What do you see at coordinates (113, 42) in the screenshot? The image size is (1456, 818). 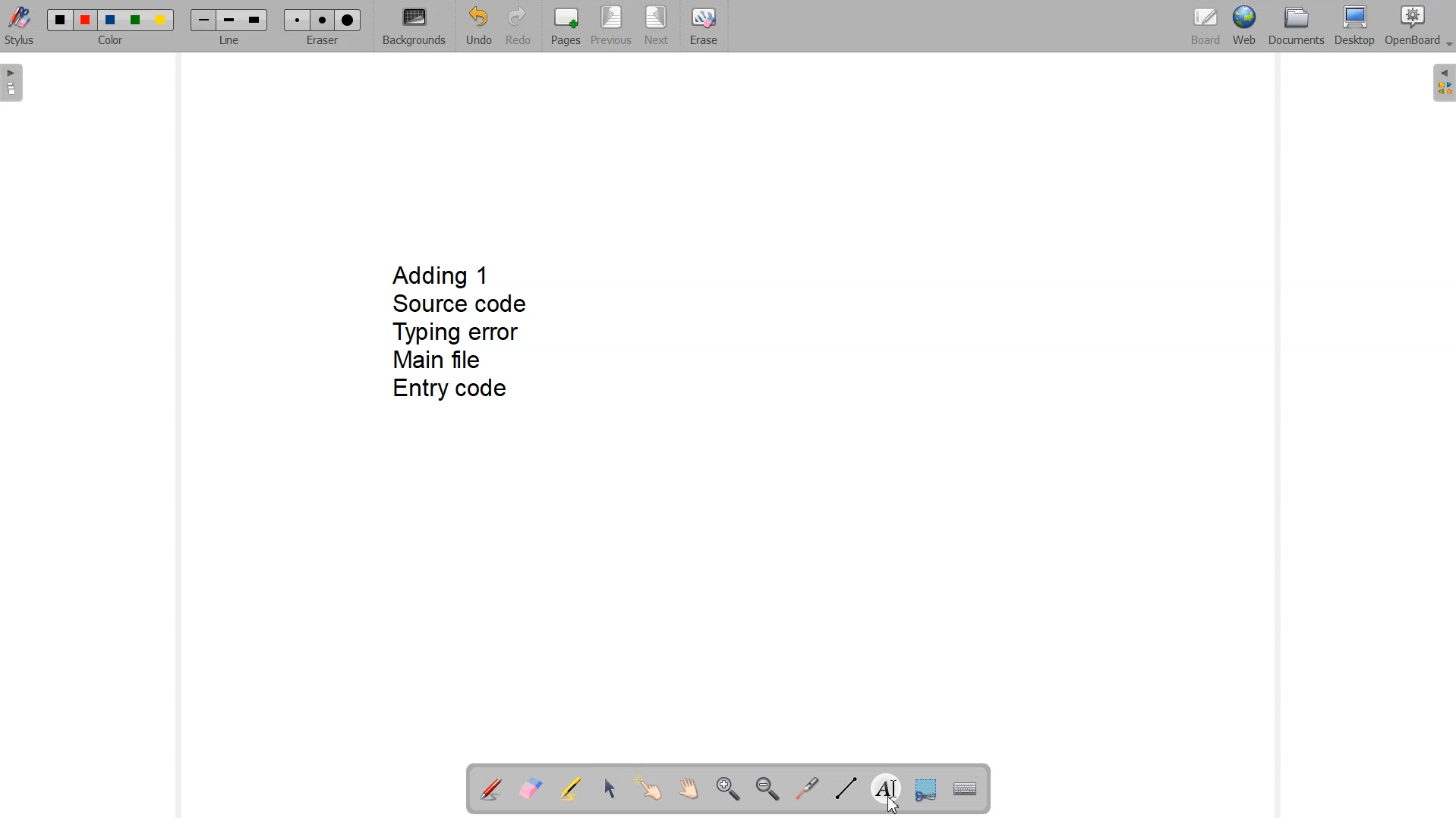 I see `Color` at bounding box center [113, 42].